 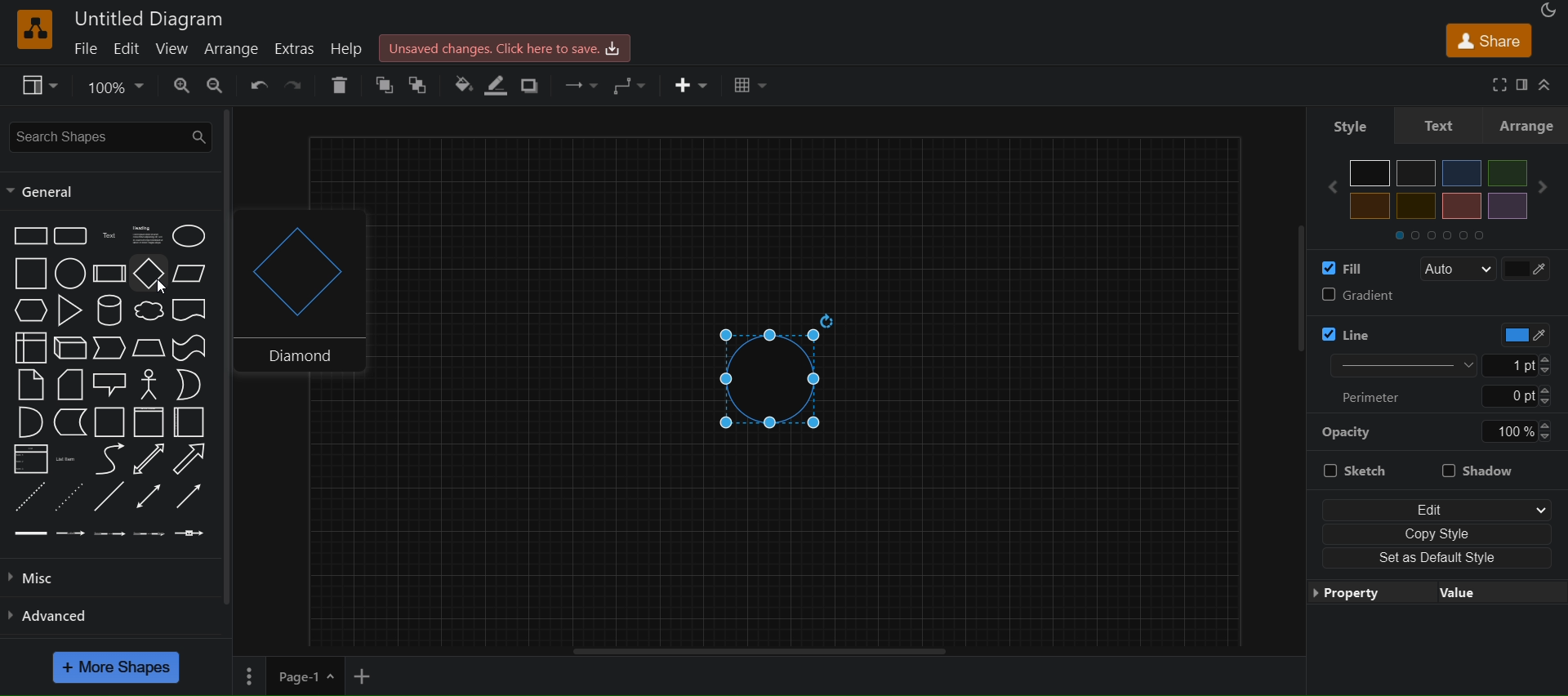 I want to click on view, so click(x=42, y=86).